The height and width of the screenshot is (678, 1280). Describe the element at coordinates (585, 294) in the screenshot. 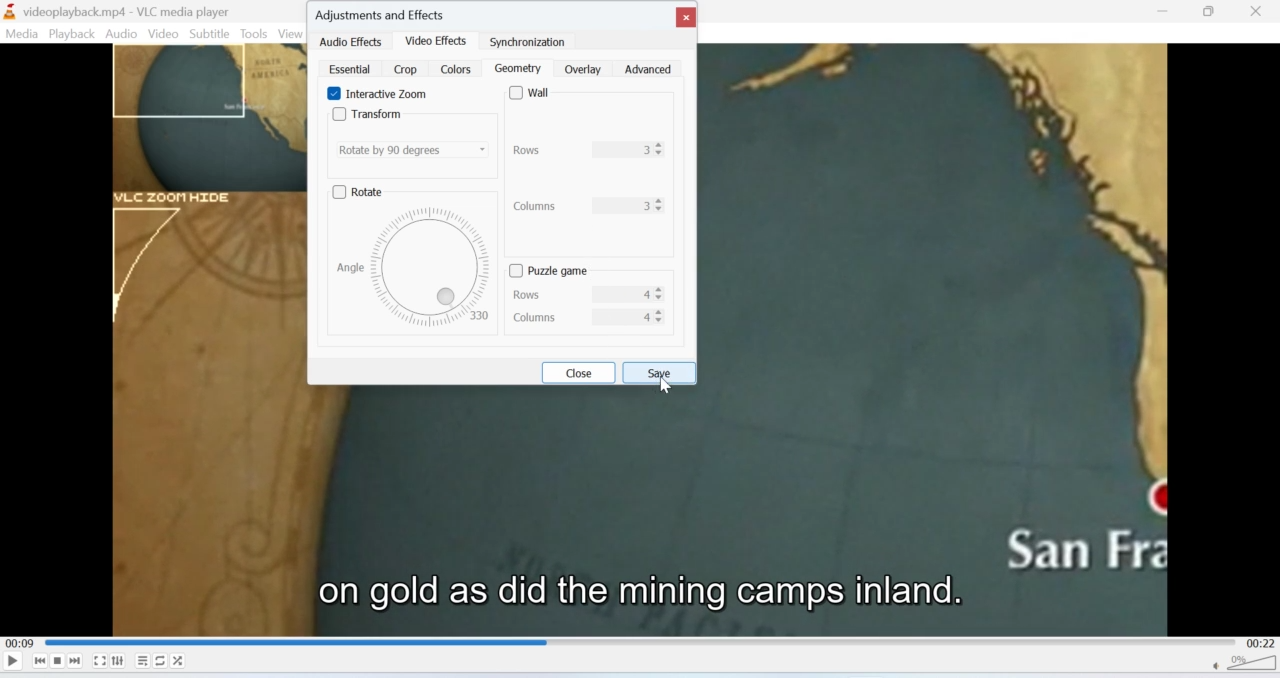

I see `rows    4` at that location.